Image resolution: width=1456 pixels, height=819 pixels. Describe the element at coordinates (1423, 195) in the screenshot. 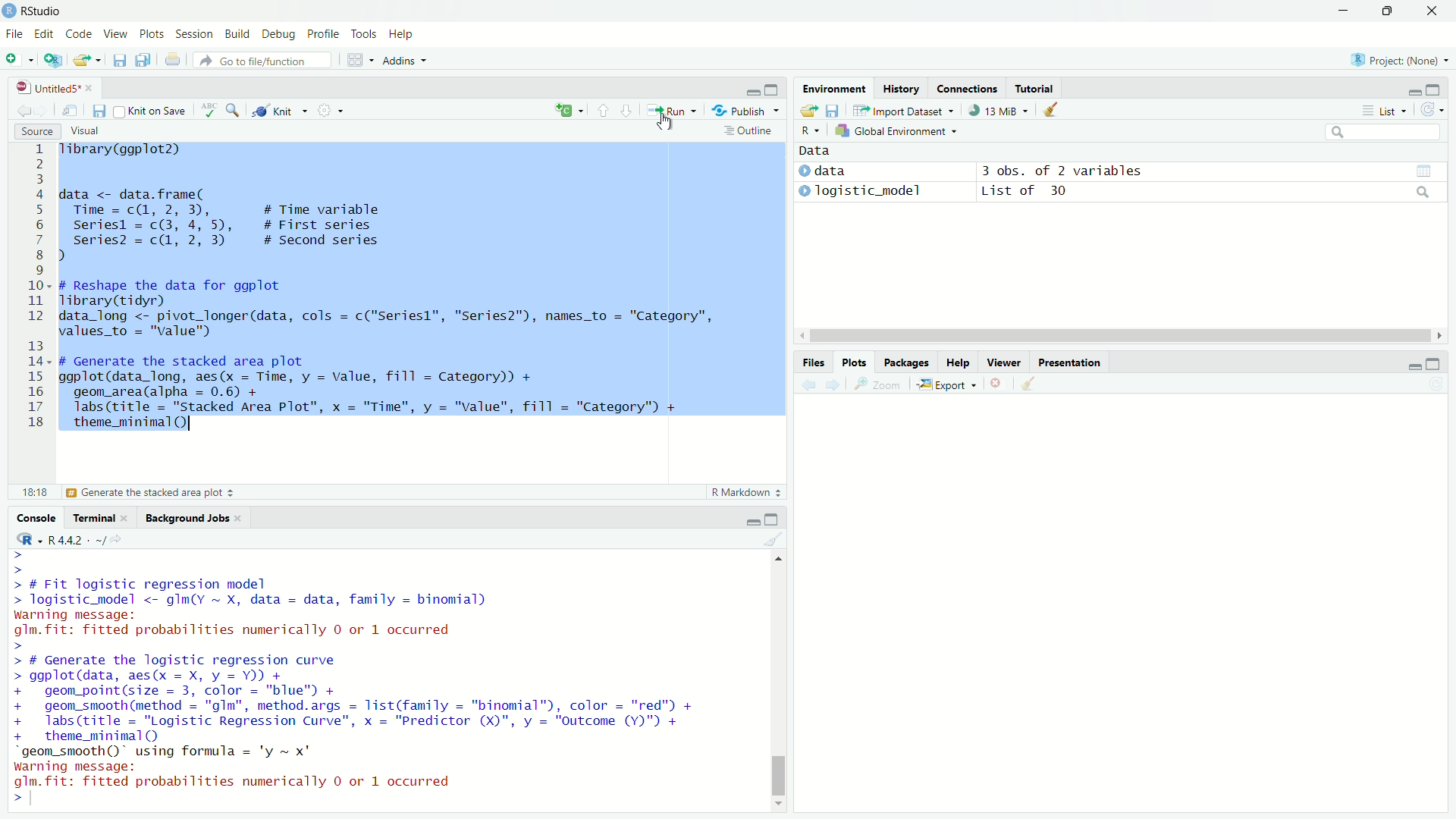

I see `search` at that location.